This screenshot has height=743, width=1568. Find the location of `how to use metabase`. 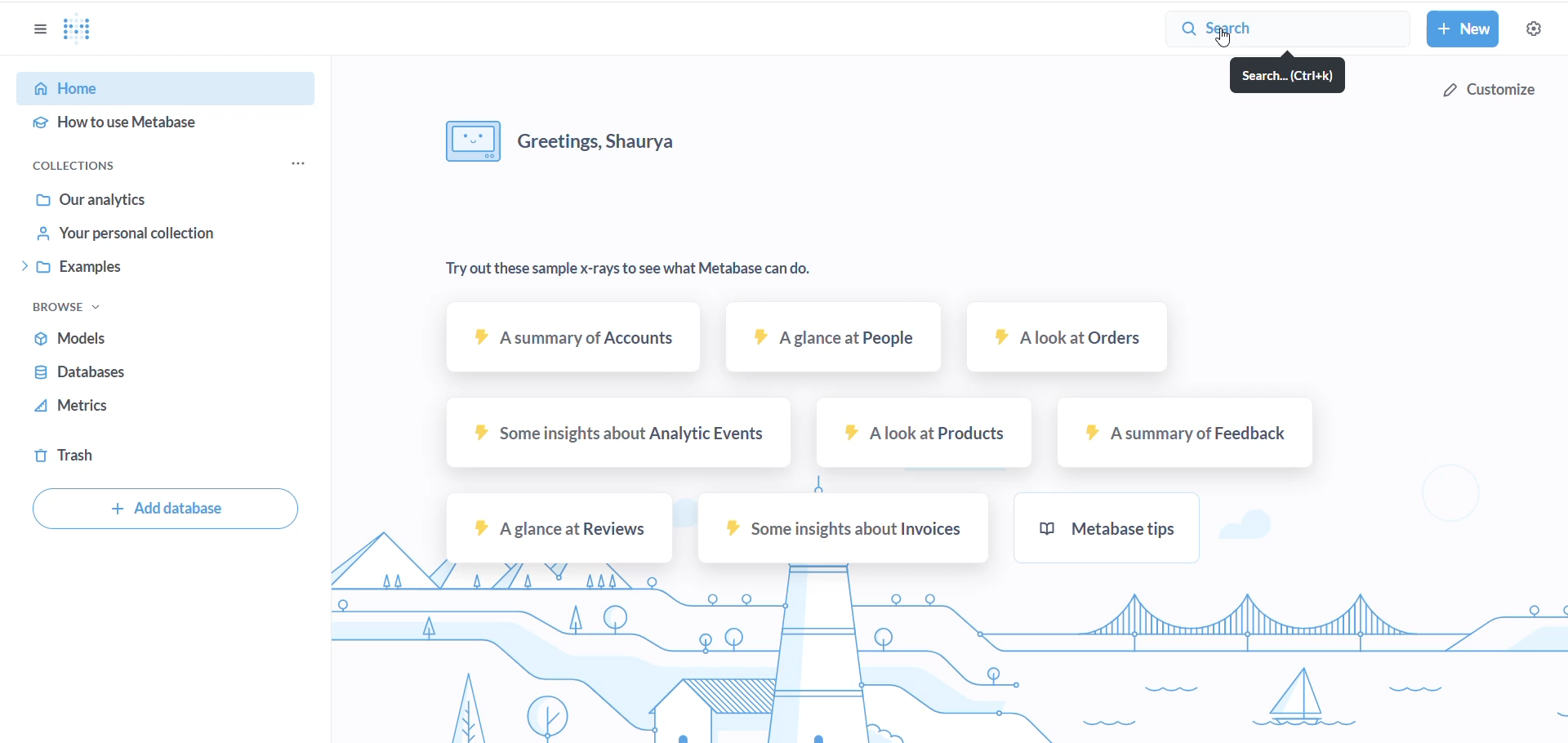

how to use metabase is located at coordinates (158, 122).